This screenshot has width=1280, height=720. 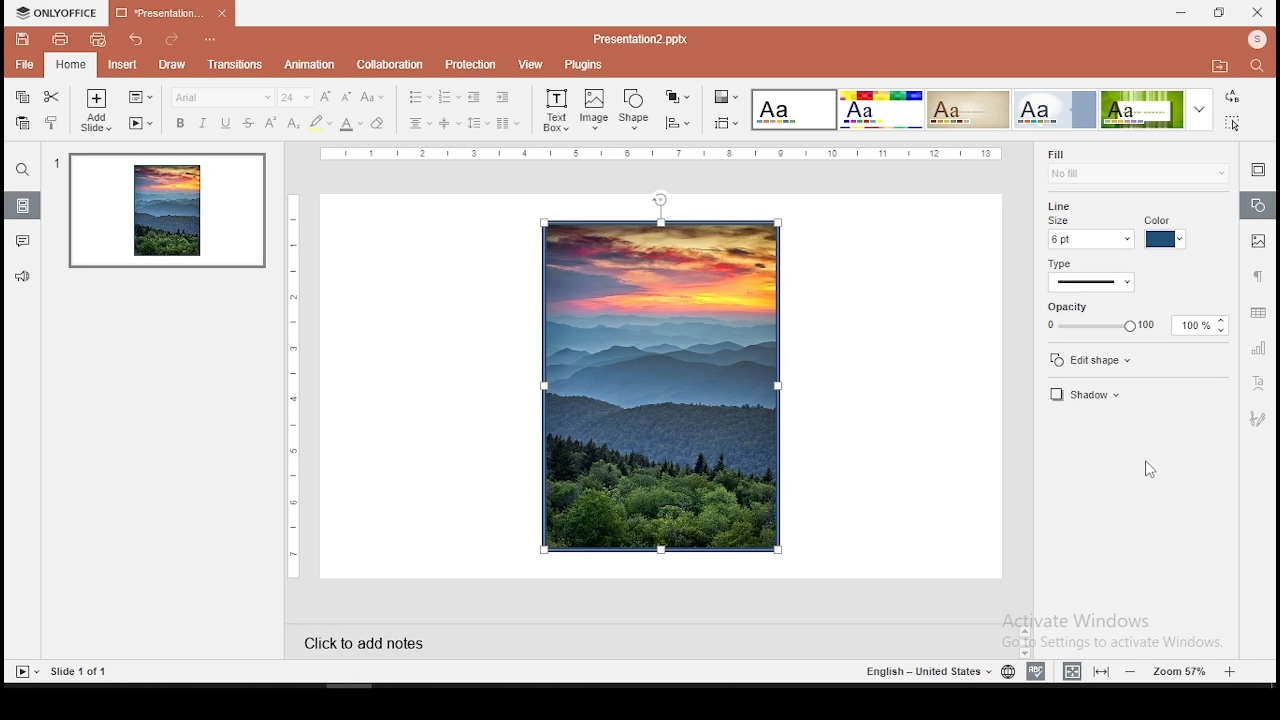 I want to click on start slideshow, so click(x=139, y=125).